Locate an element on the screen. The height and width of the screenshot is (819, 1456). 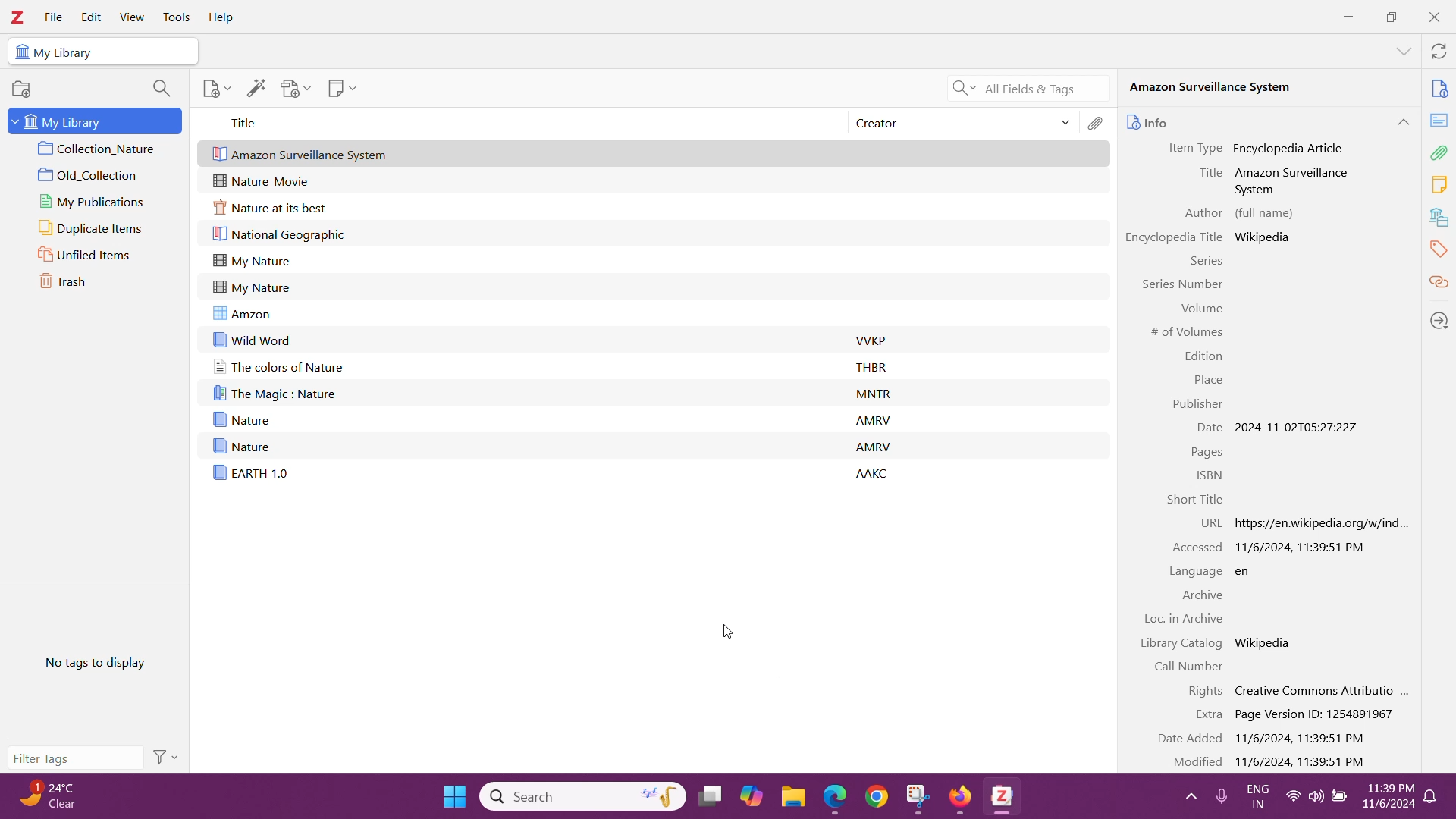
Locate is located at coordinates (1439, 322).